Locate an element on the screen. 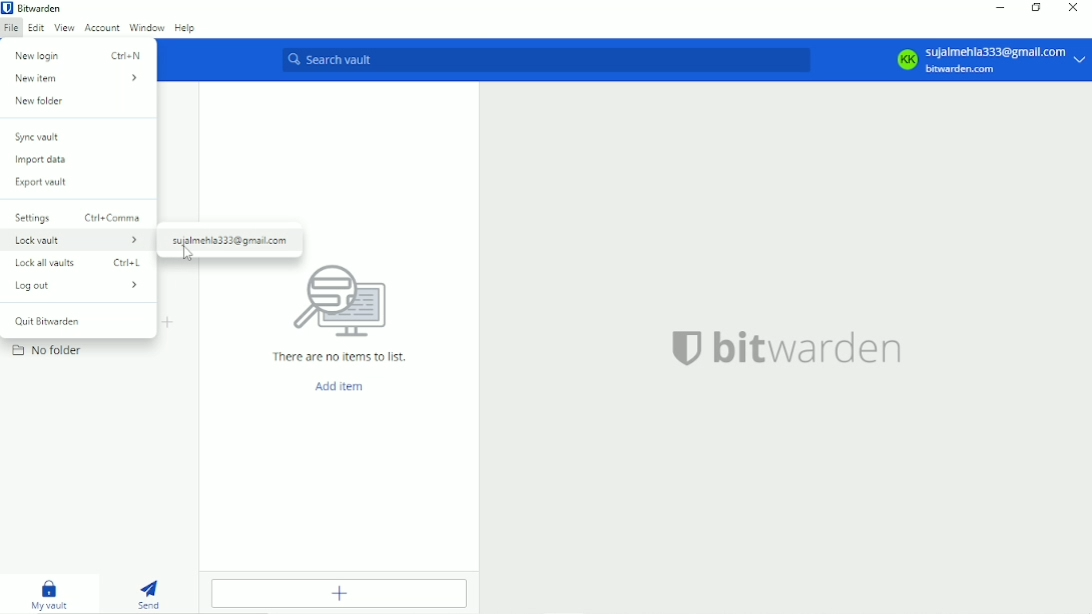 The width and height of the screenshot is (1092, 614). Import data is located at coordinates (44, 160).